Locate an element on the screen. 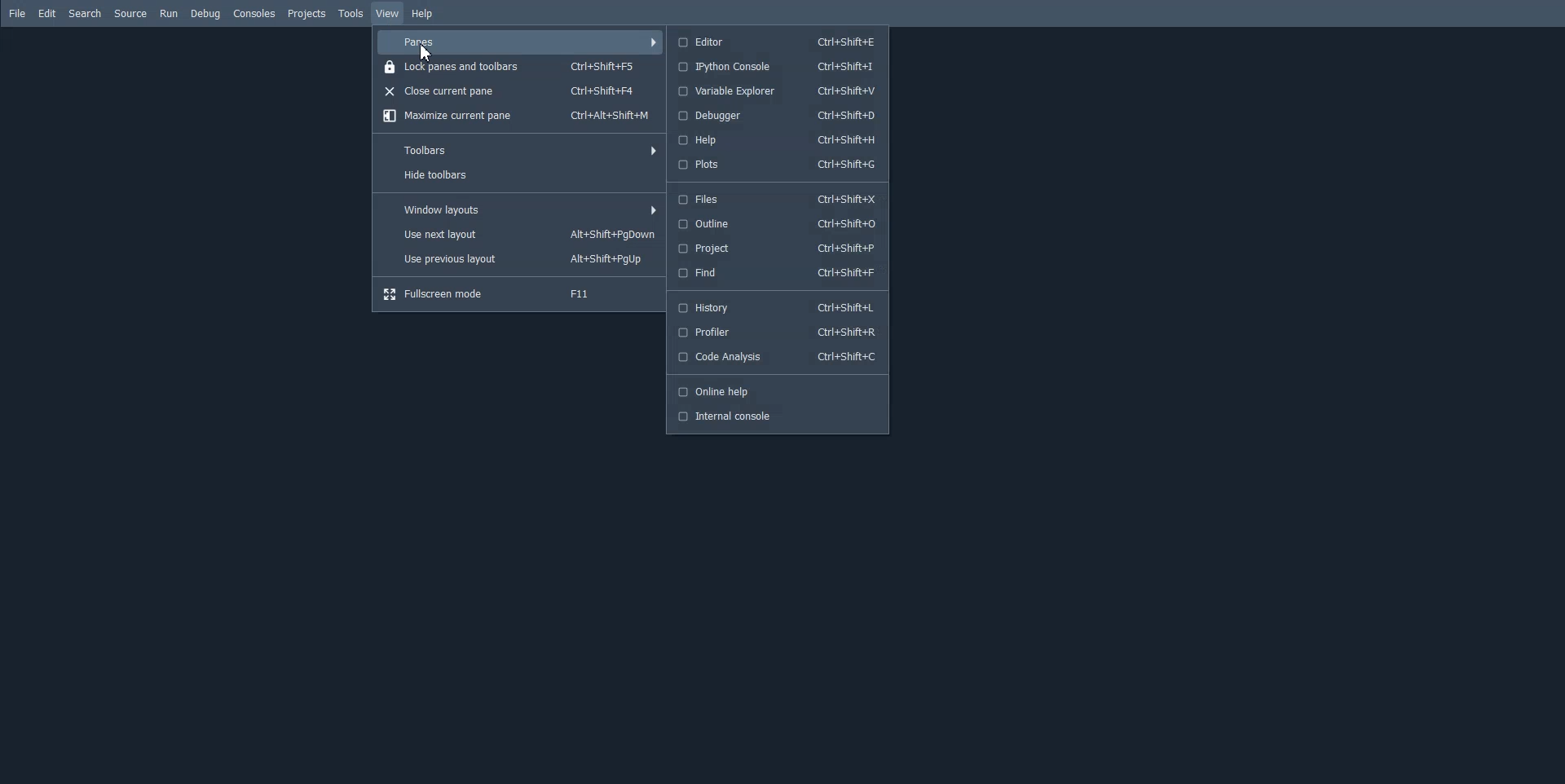  Ipython Console is located at coordinates (775, 66).